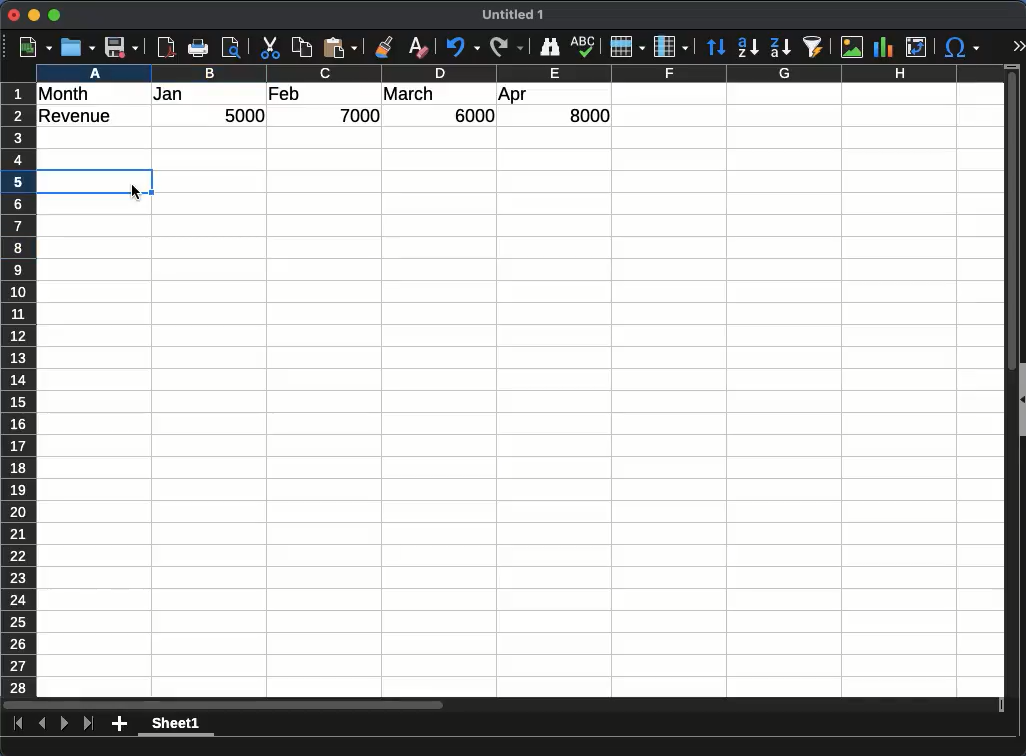  What do you see at coordinates (36, 47) in the screenshot?
I see `new` at bounding box center [36, 47].